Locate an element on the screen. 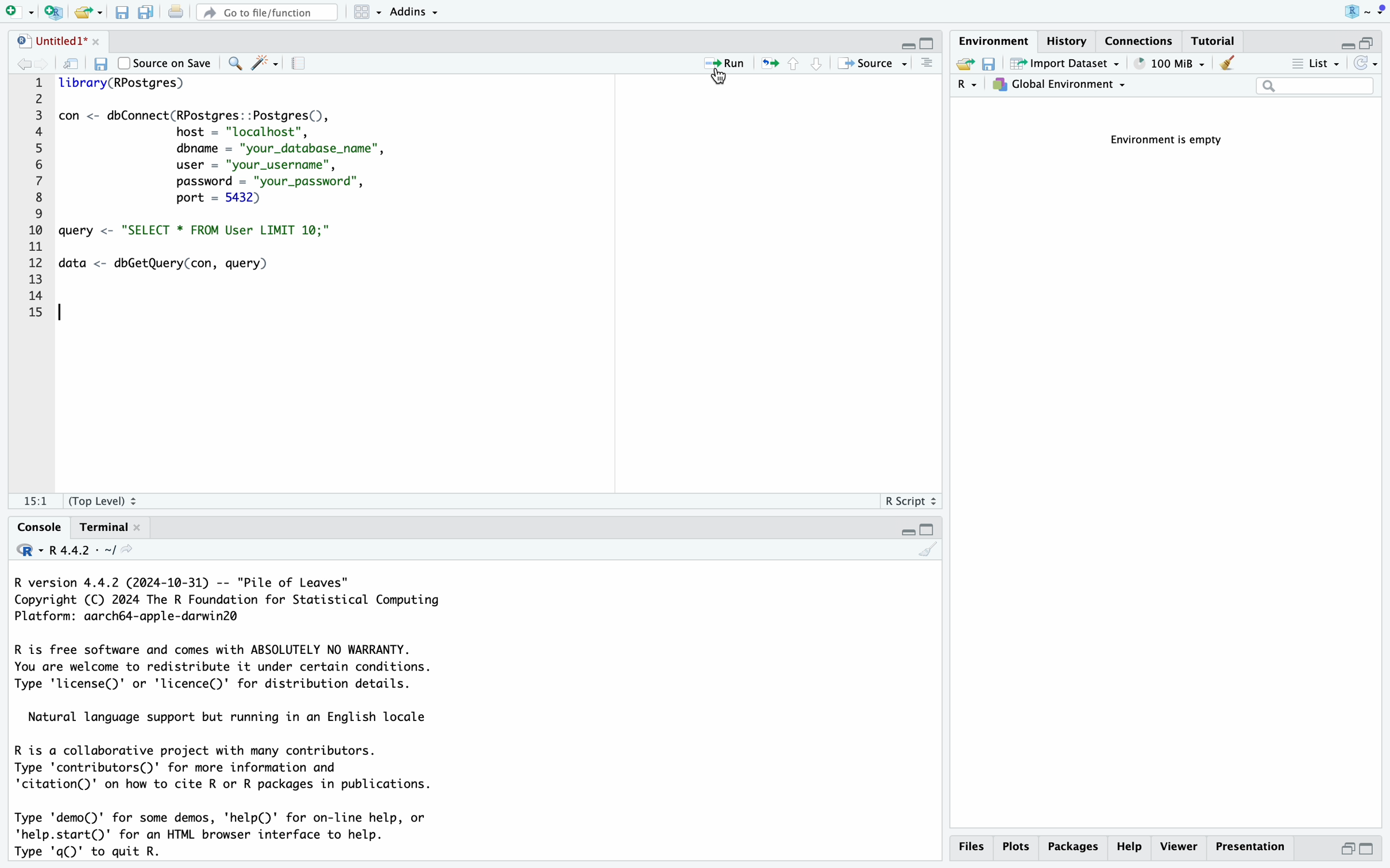 The width and height of the screenshot is (1390, 868). go back to the previous source location is located at coordinates (19, 62).